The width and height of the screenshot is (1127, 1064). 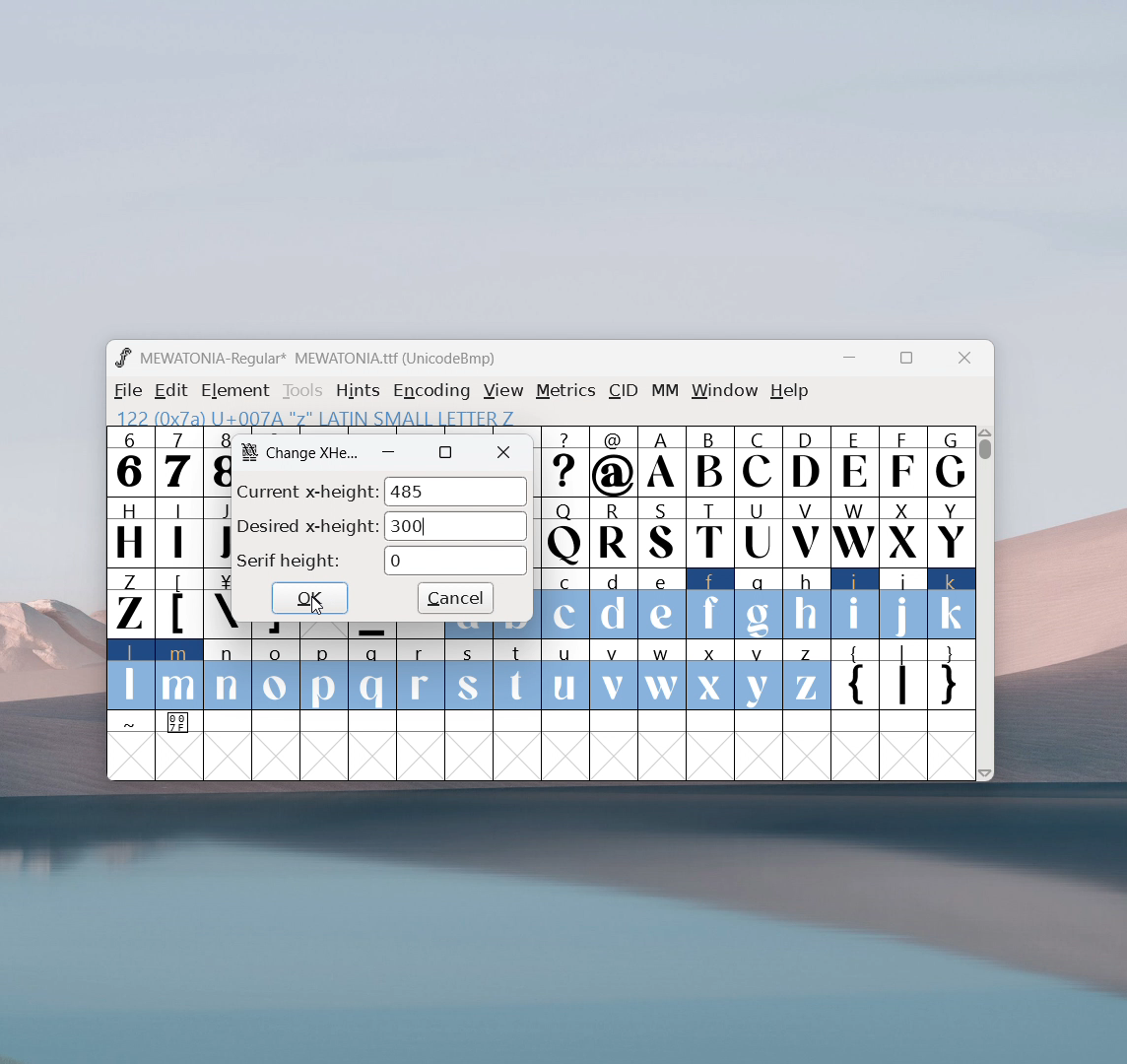 What do you see at coordinates (805, 601) in the screenshot?
I see `h` at bounding box center [805, 601].